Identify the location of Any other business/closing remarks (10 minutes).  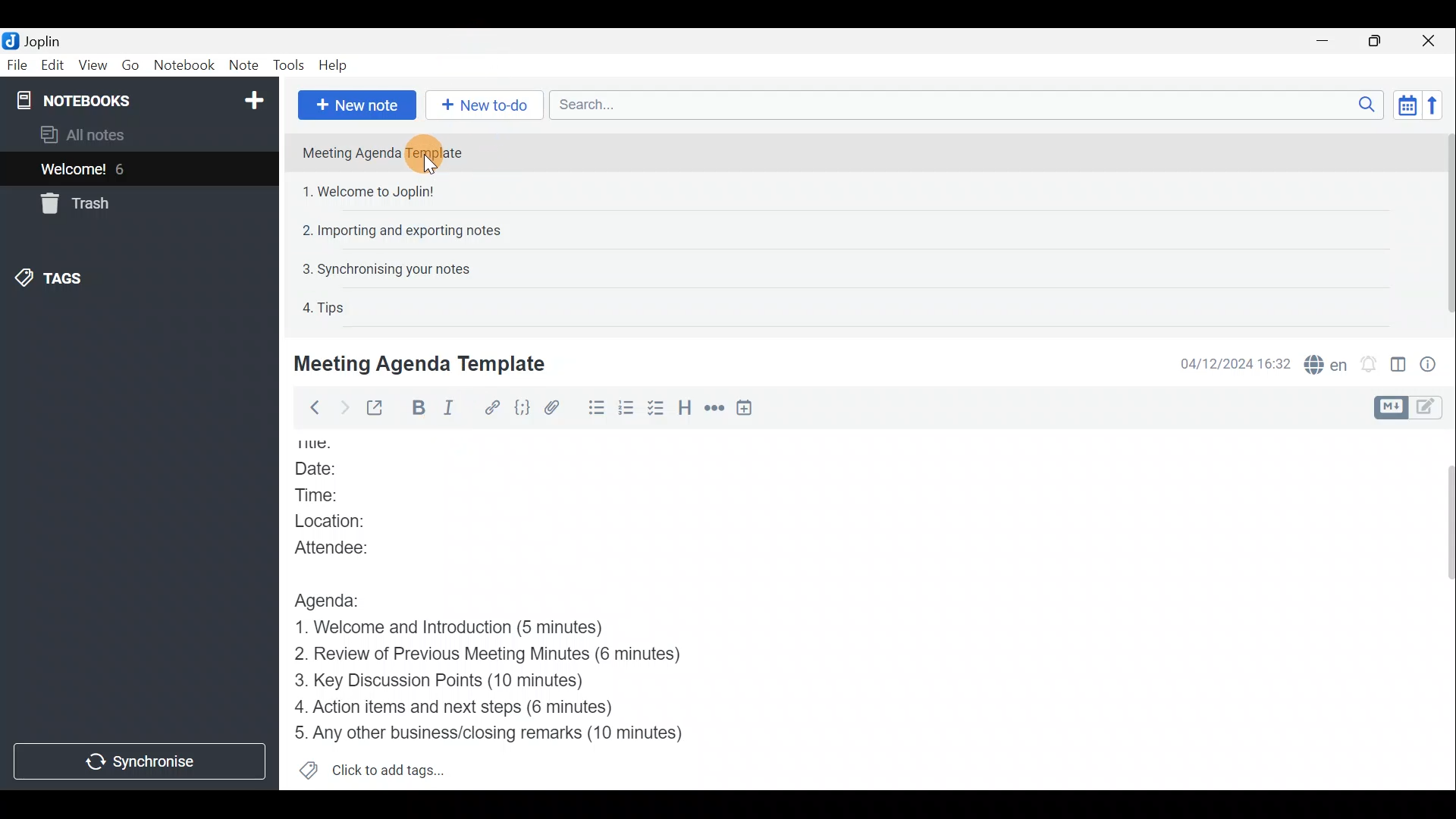
(494, 732).